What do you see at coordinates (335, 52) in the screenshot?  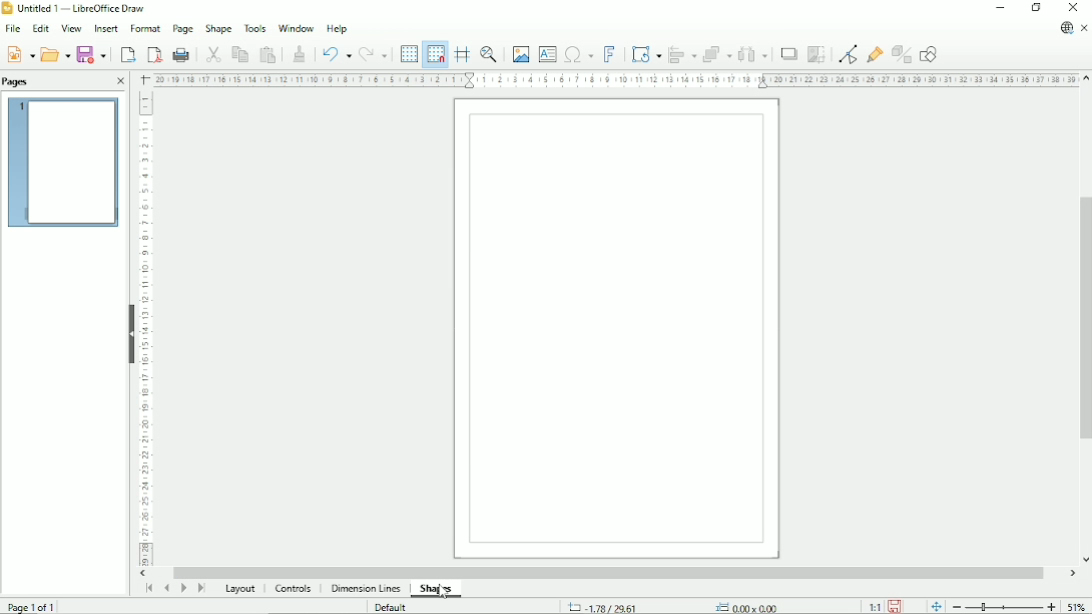 I see `Undo` at bounding box center [335, 52].